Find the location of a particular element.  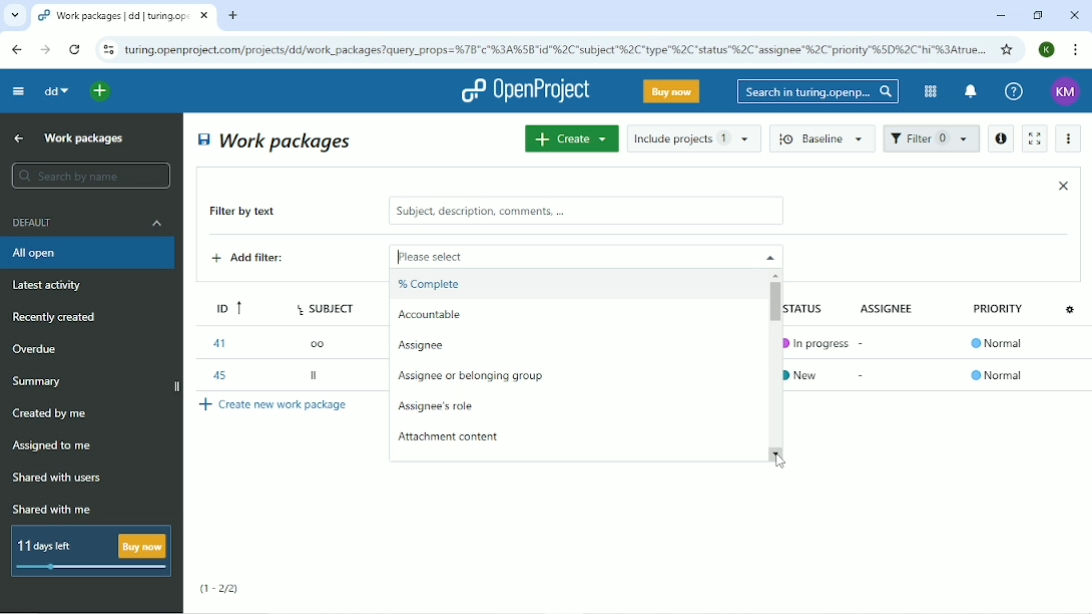

OpenProject is located at coordinates (525, 91).